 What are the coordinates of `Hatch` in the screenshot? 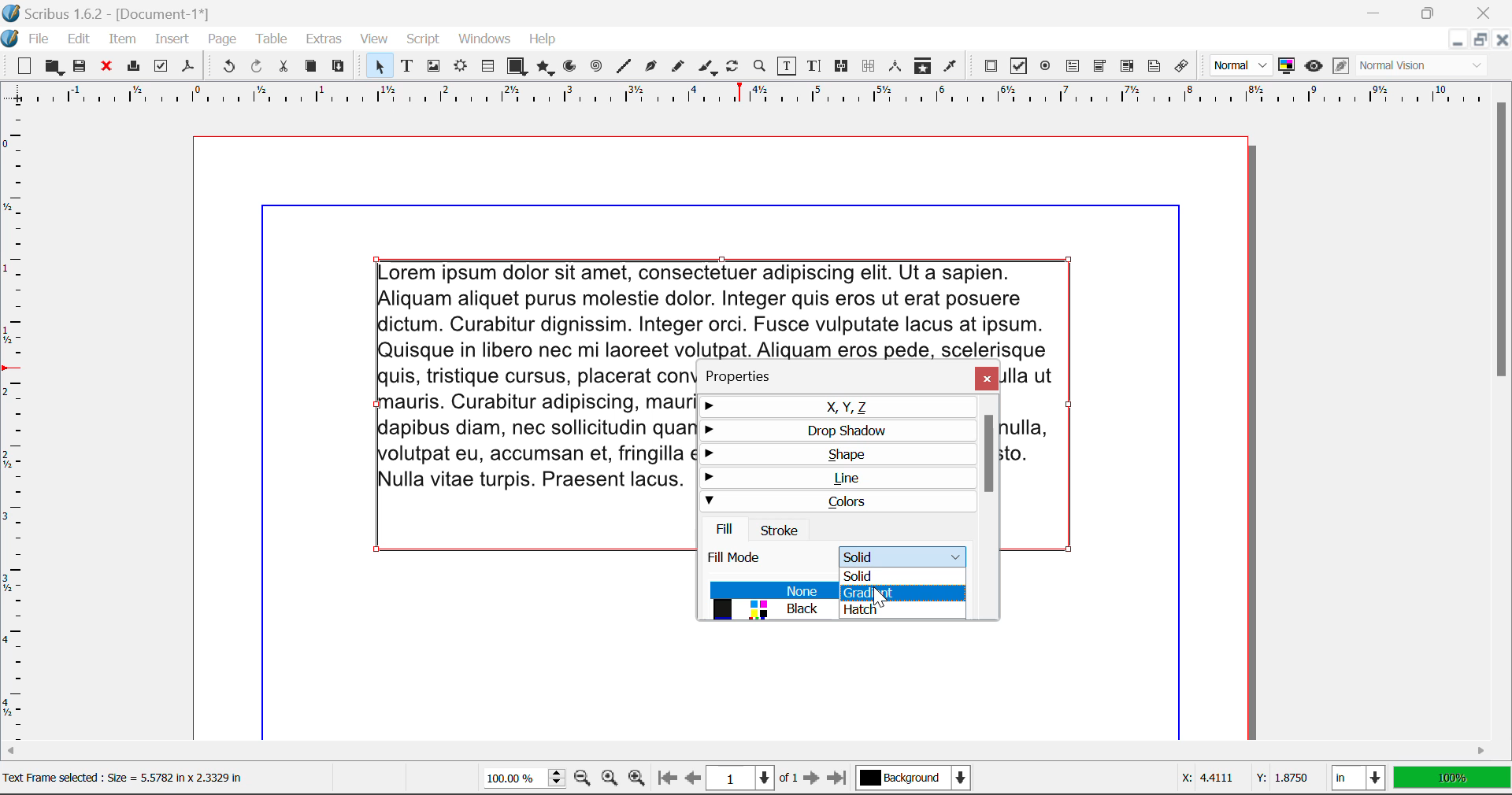 It's located at (901, 610).